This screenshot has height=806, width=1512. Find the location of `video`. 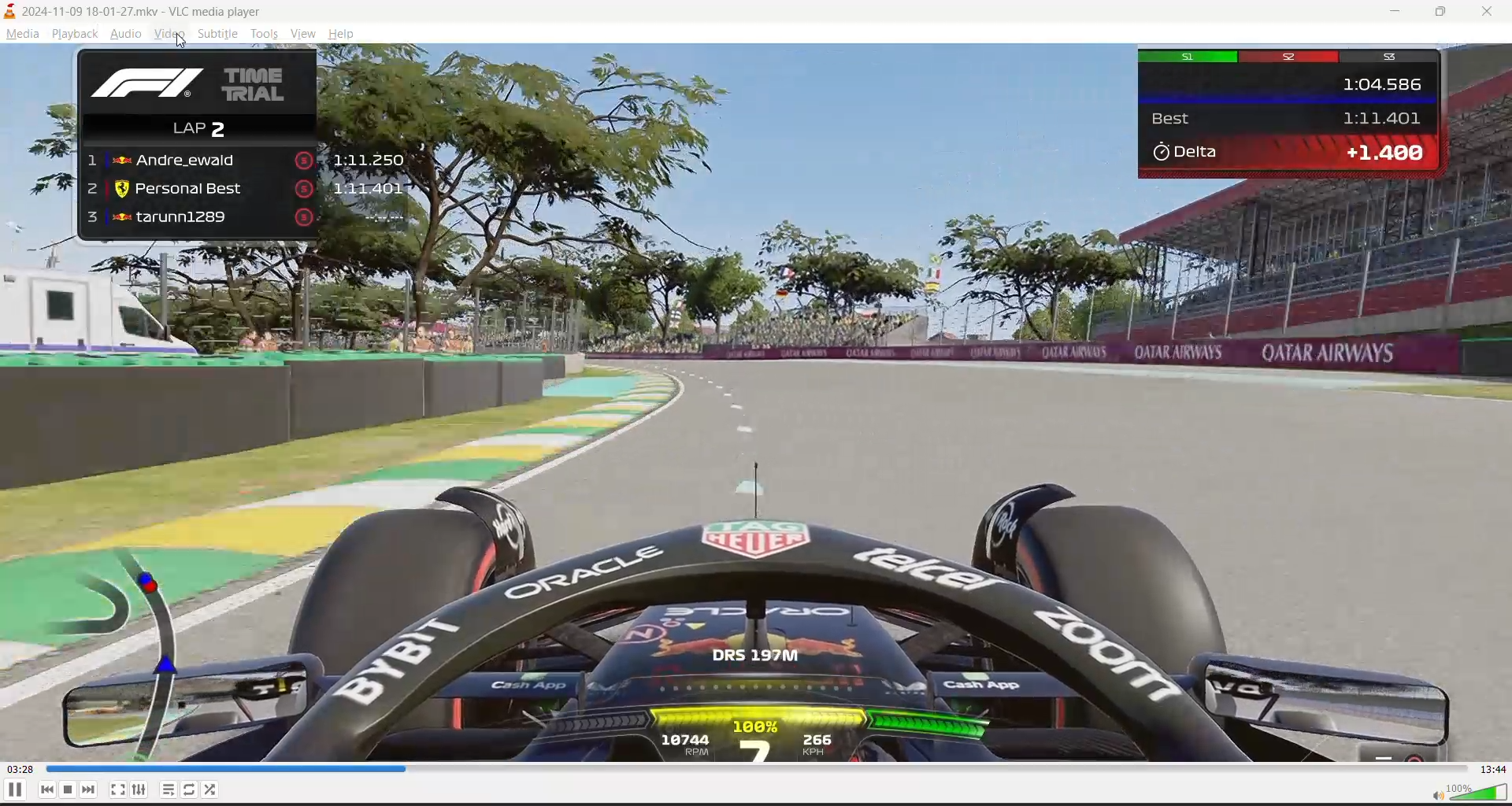

video is located at coordinates (169, 32).